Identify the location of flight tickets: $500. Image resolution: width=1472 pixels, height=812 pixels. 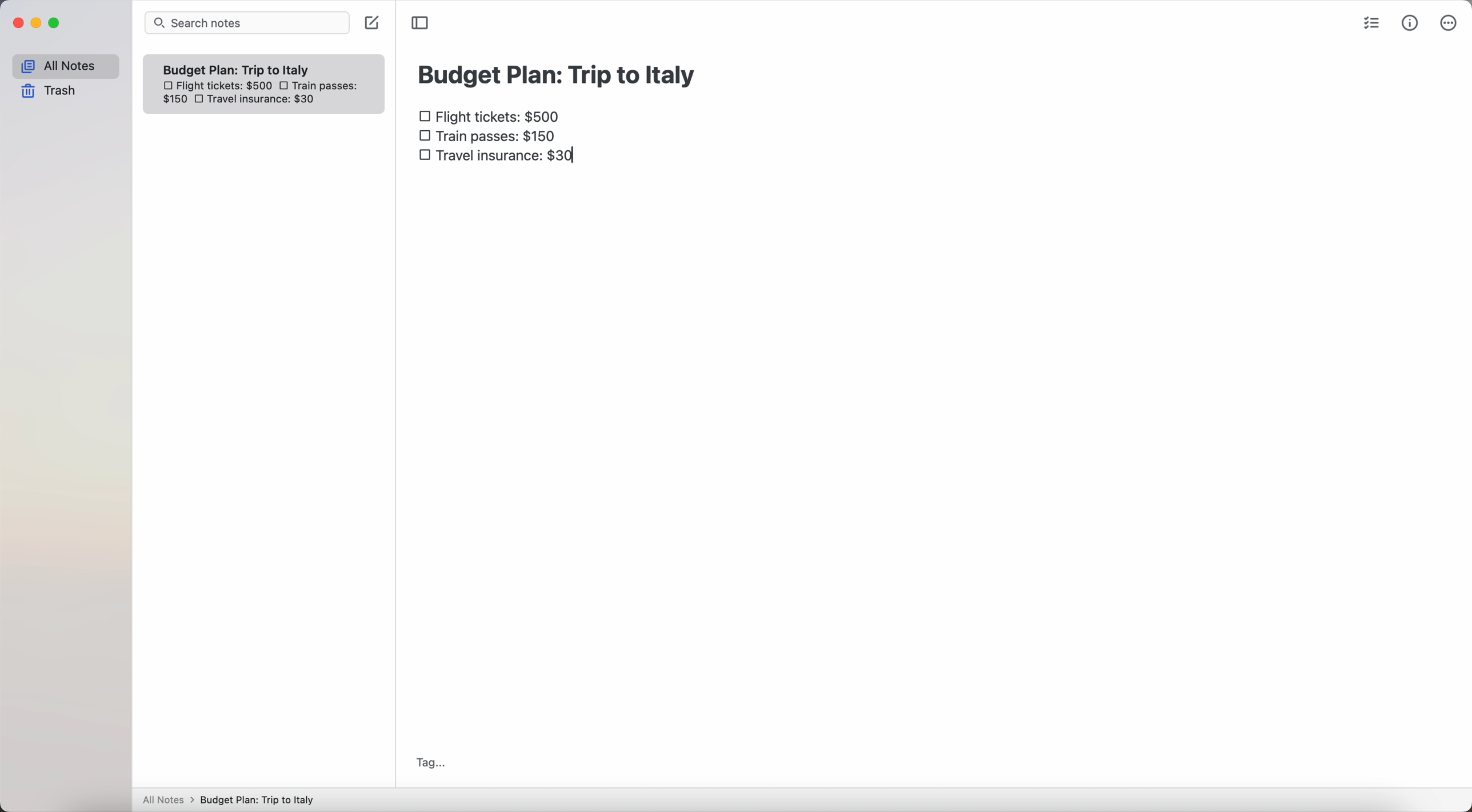
(217, 87).